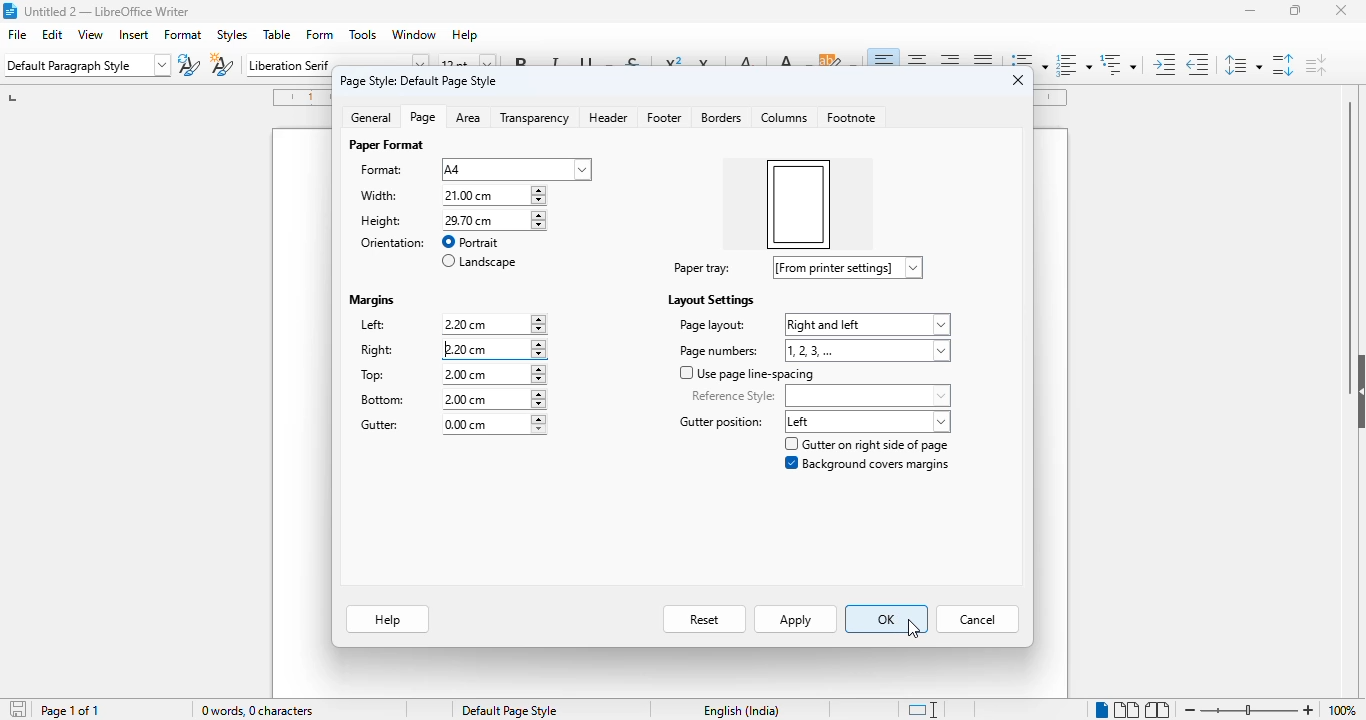 The image size is (1366, 720). I want to click on paper tray options, so click(840, 268).